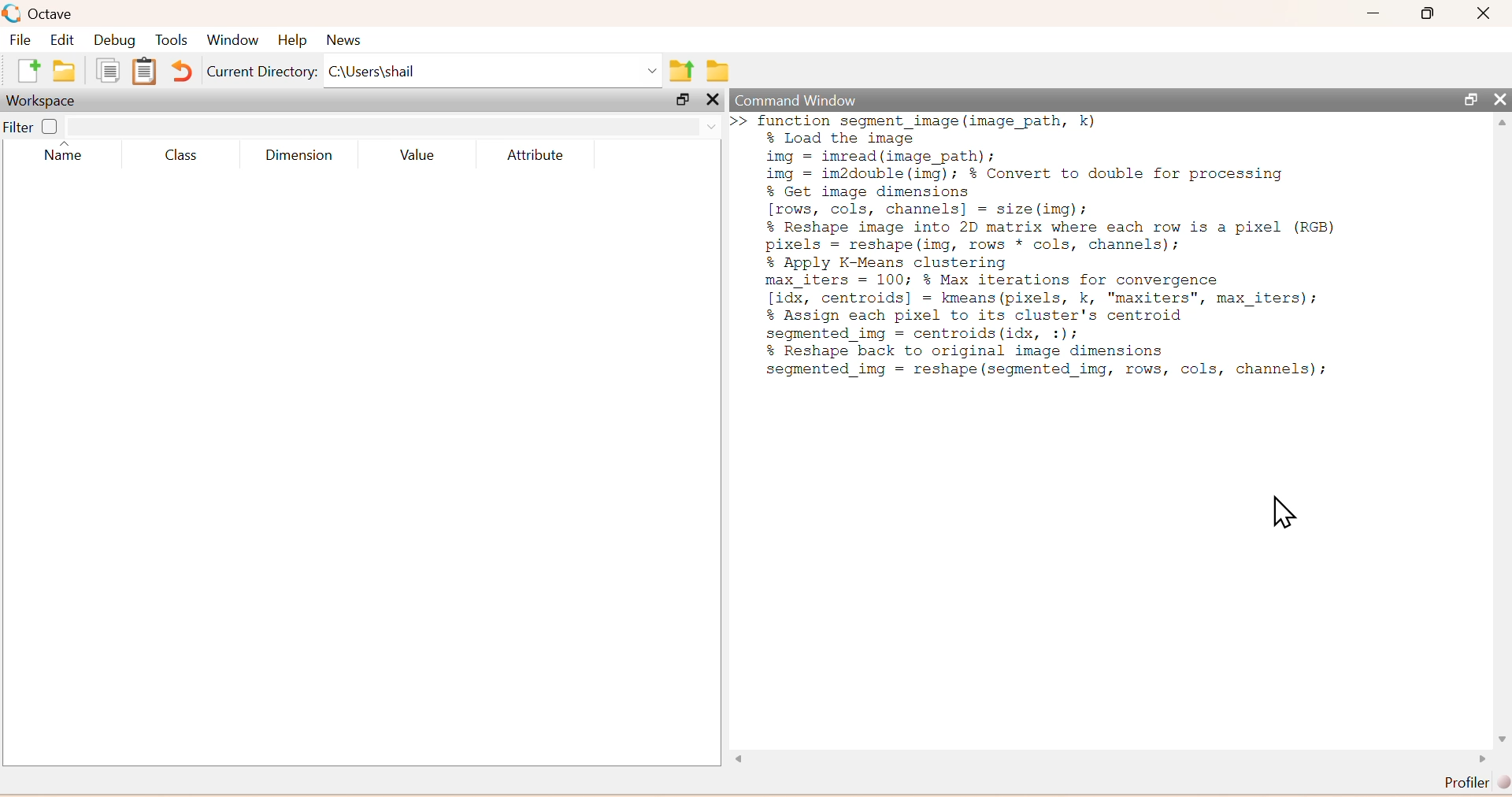 The image size is (1512, 797). Describe the element at coordinates (31, 71) in the screenshot. I see `new script` at that location.